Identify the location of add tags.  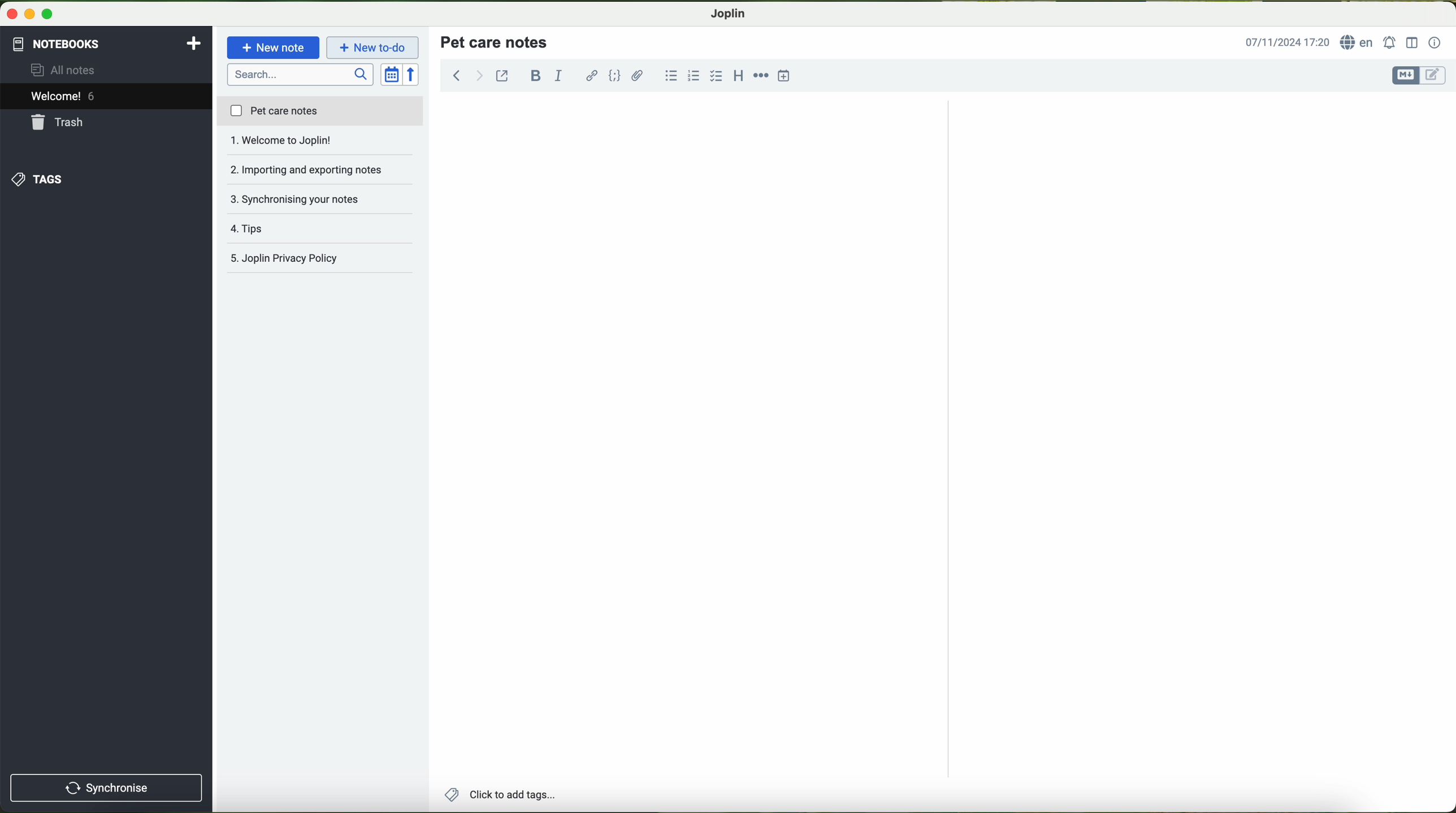
(500, 796).